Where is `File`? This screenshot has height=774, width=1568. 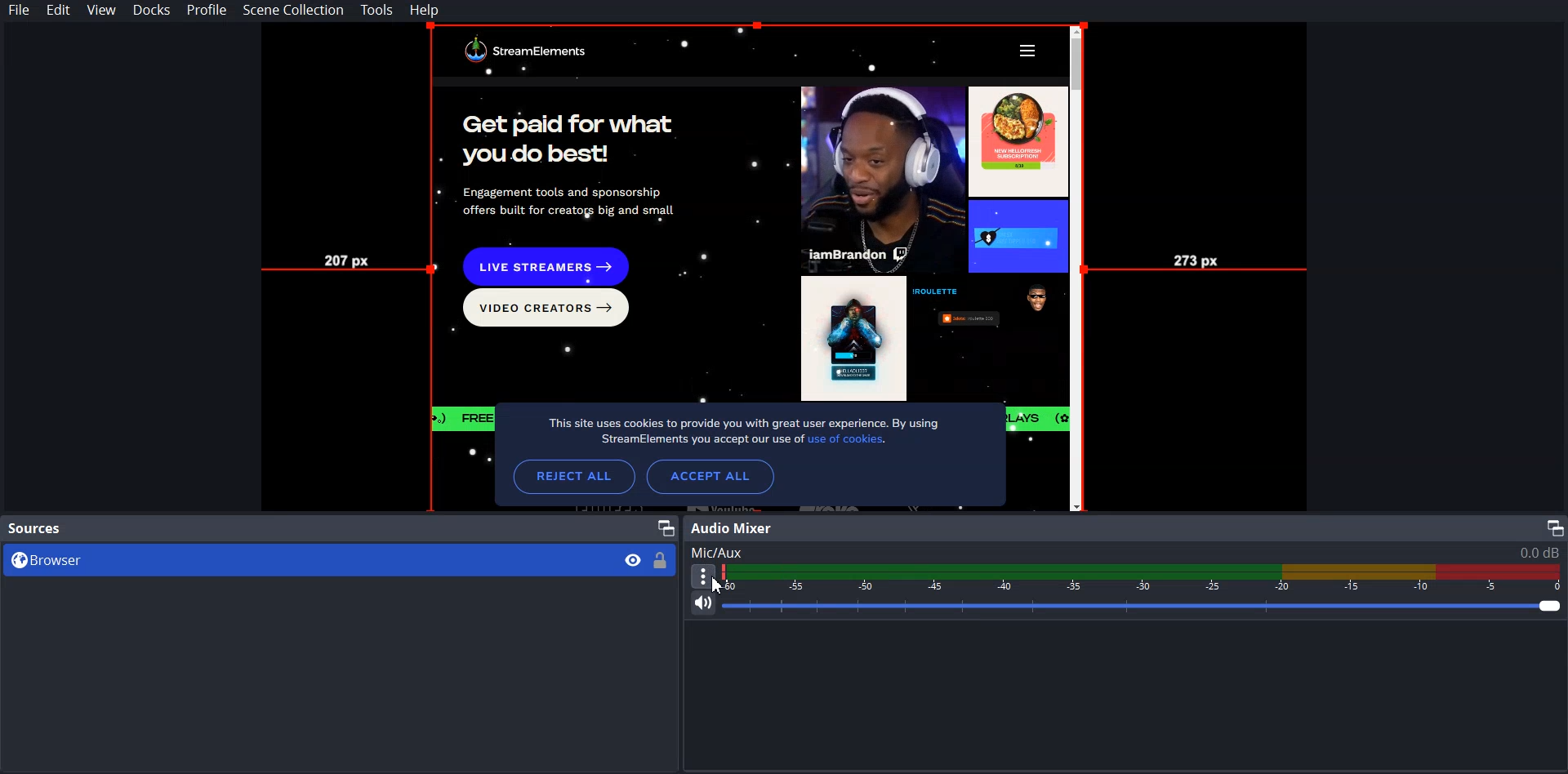 File is located at coordinates (19, 11).